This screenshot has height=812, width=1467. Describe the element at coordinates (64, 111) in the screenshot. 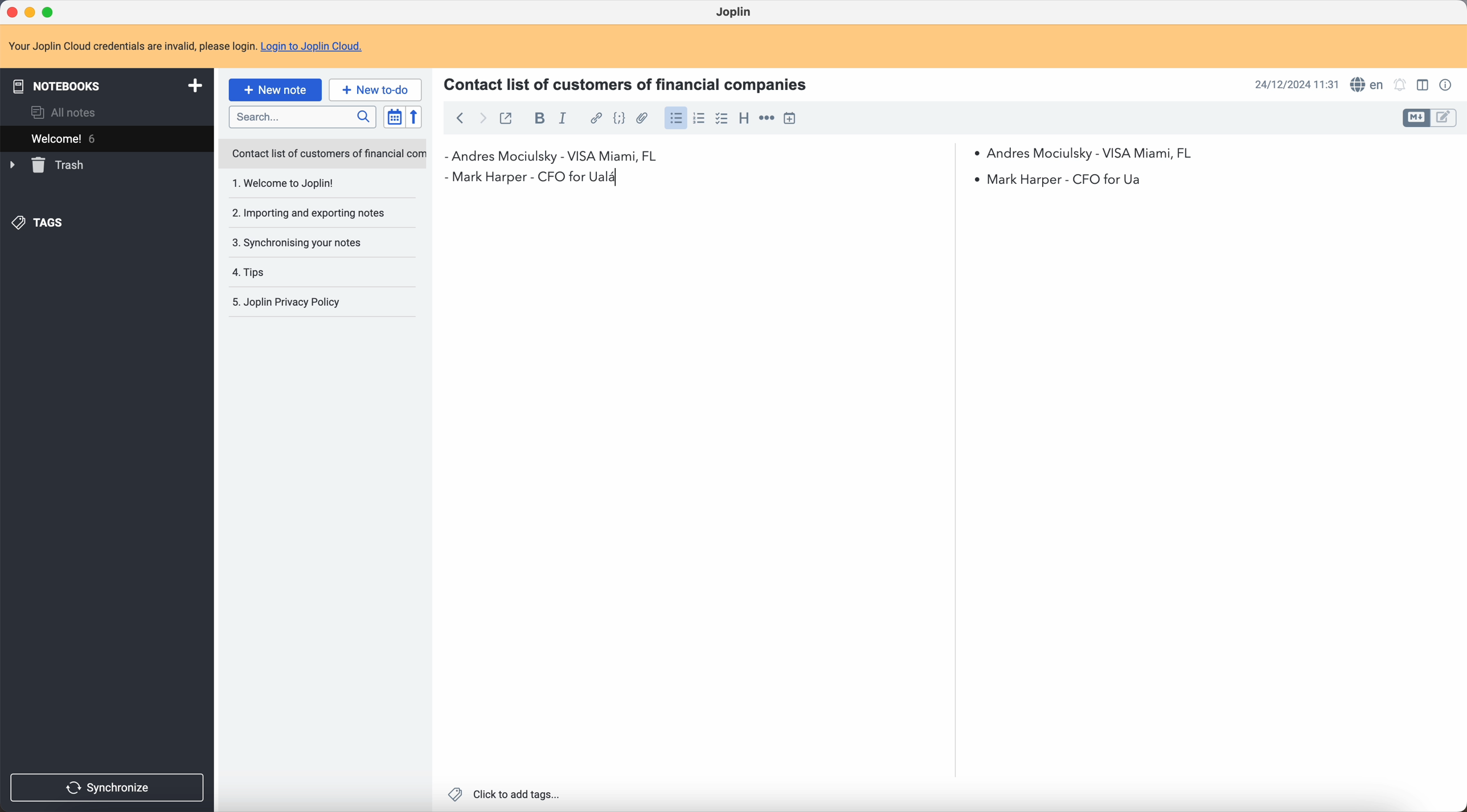

I see `all notes` at that location.